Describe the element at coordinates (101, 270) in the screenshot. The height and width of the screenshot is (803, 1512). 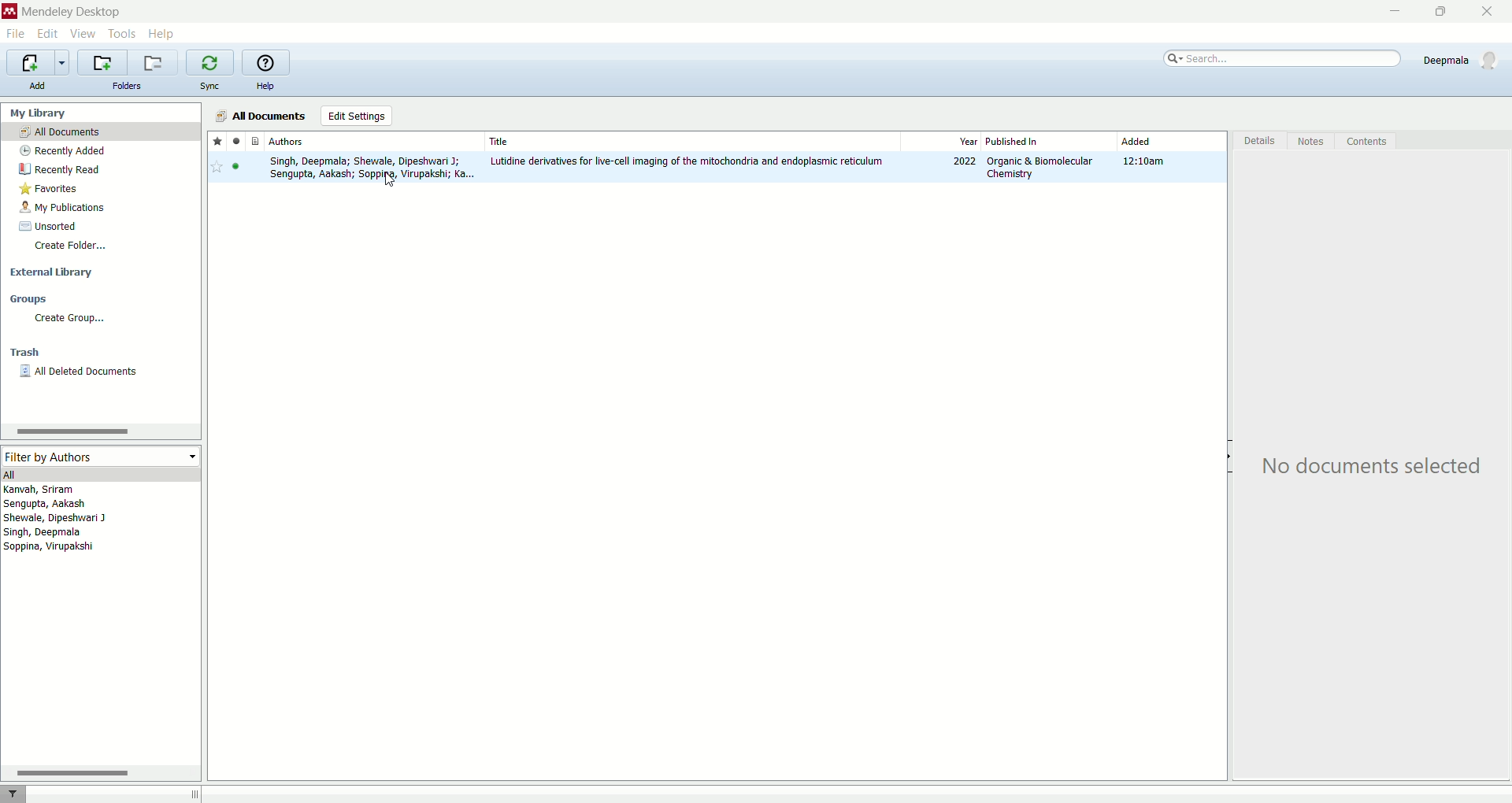
I see `external libarary` at that location.